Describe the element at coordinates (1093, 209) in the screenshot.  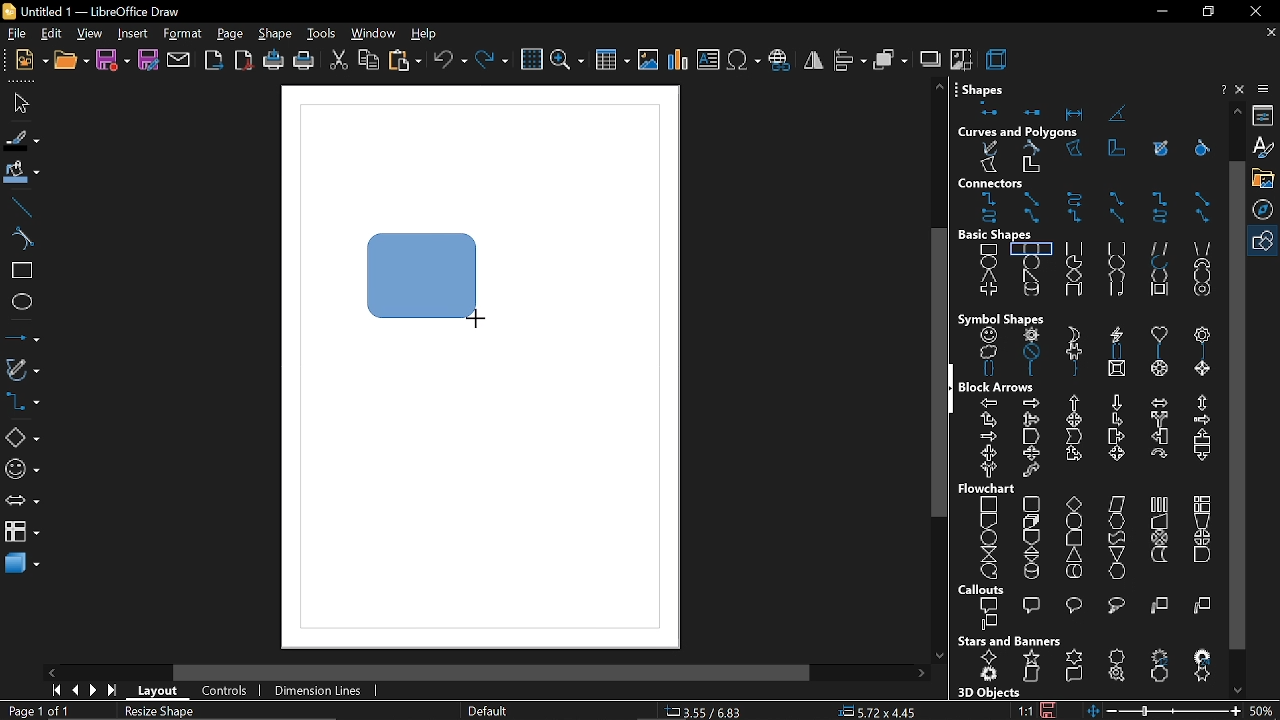
I see `connectors` at that location.